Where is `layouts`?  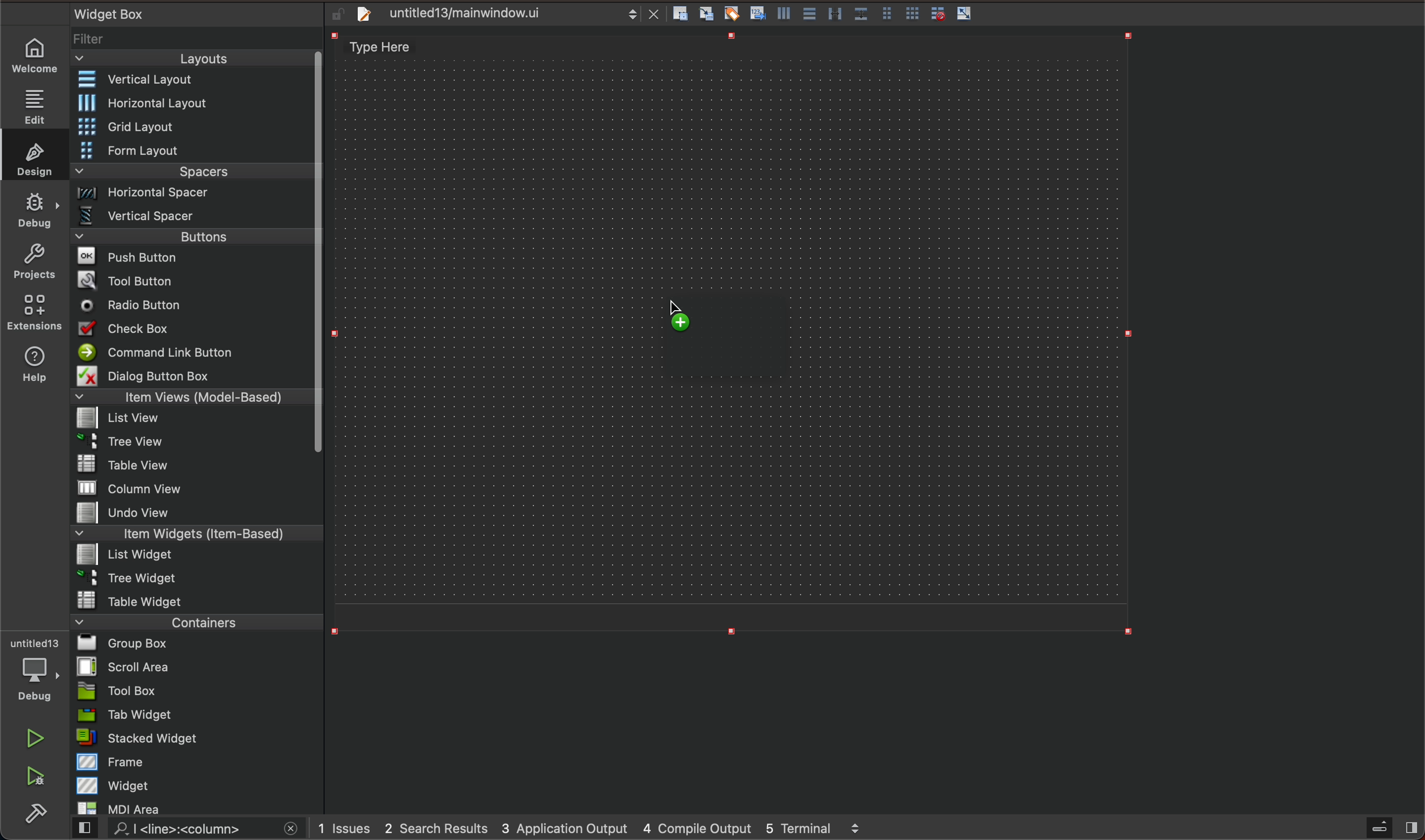 layouts is located at coordinates (197, 58).